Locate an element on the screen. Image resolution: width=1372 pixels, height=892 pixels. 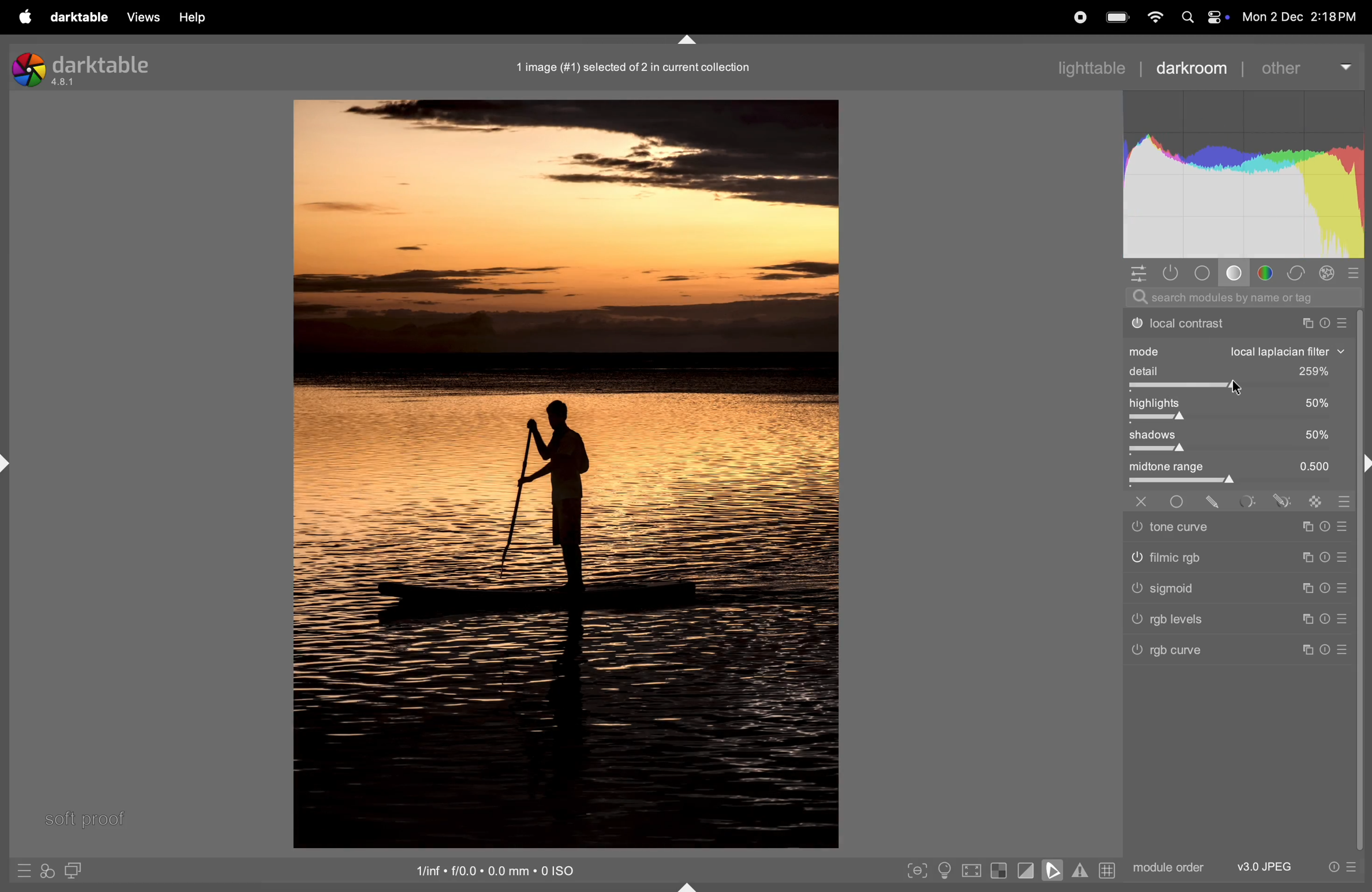
togglebar is located at coordinates (1238, 419).